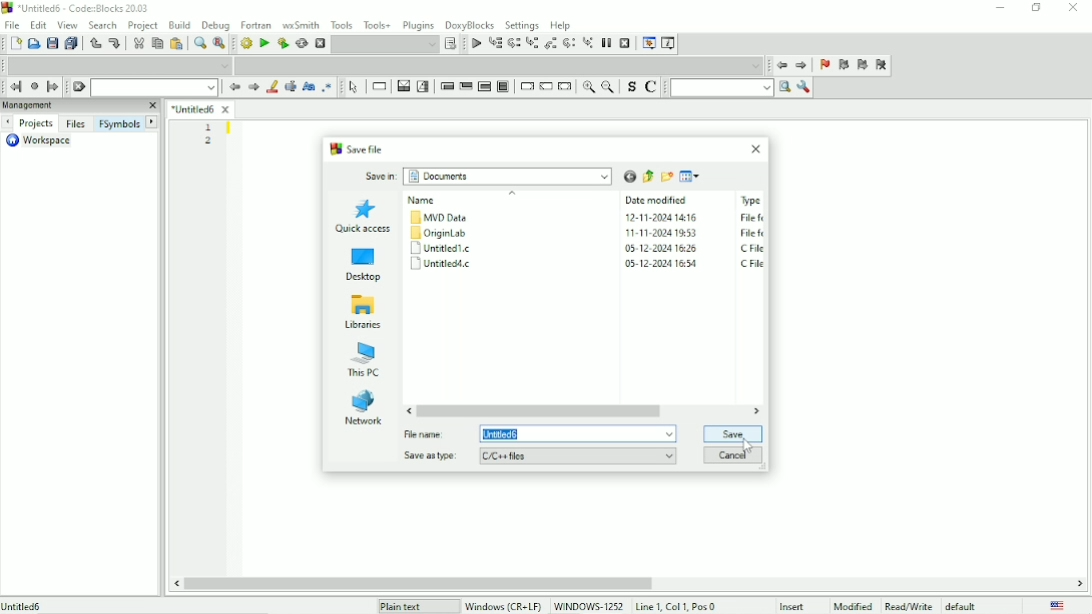 This screenshot has height=614, width=1092. What do you see at coordinates (117, 65) in the screenshot?
I see `Drop down` at bounding box center [117, 65].